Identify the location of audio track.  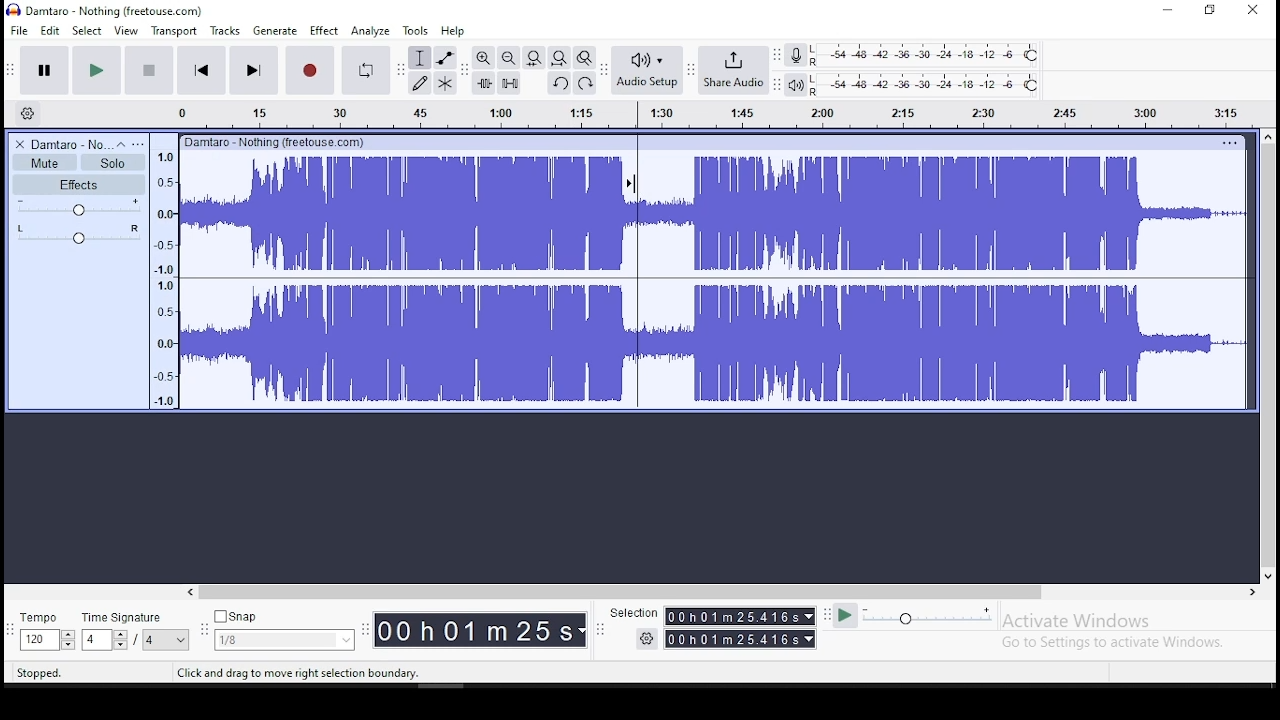
(714, 281).